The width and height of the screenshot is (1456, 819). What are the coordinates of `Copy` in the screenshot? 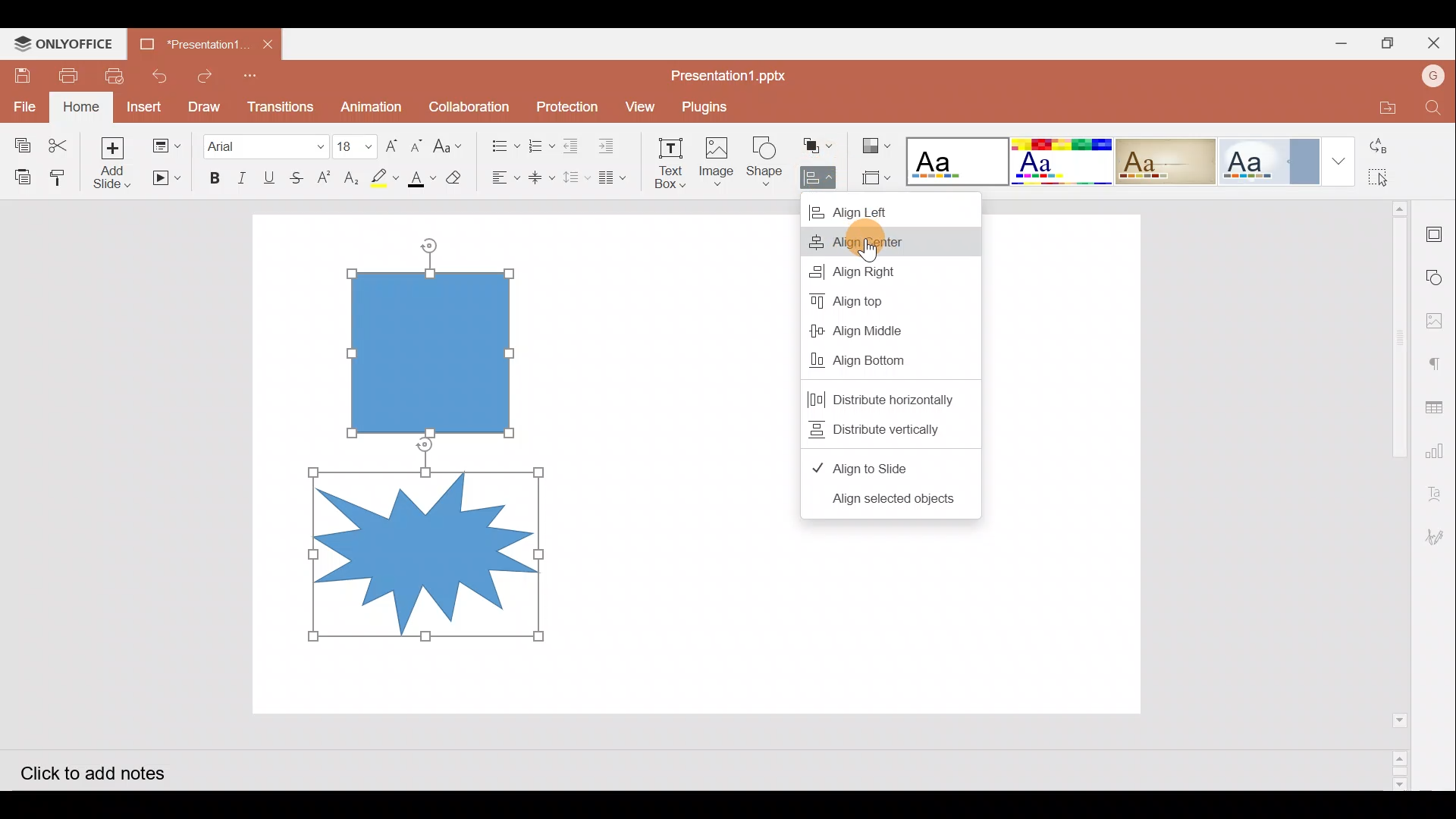 It's located at (18, 140).